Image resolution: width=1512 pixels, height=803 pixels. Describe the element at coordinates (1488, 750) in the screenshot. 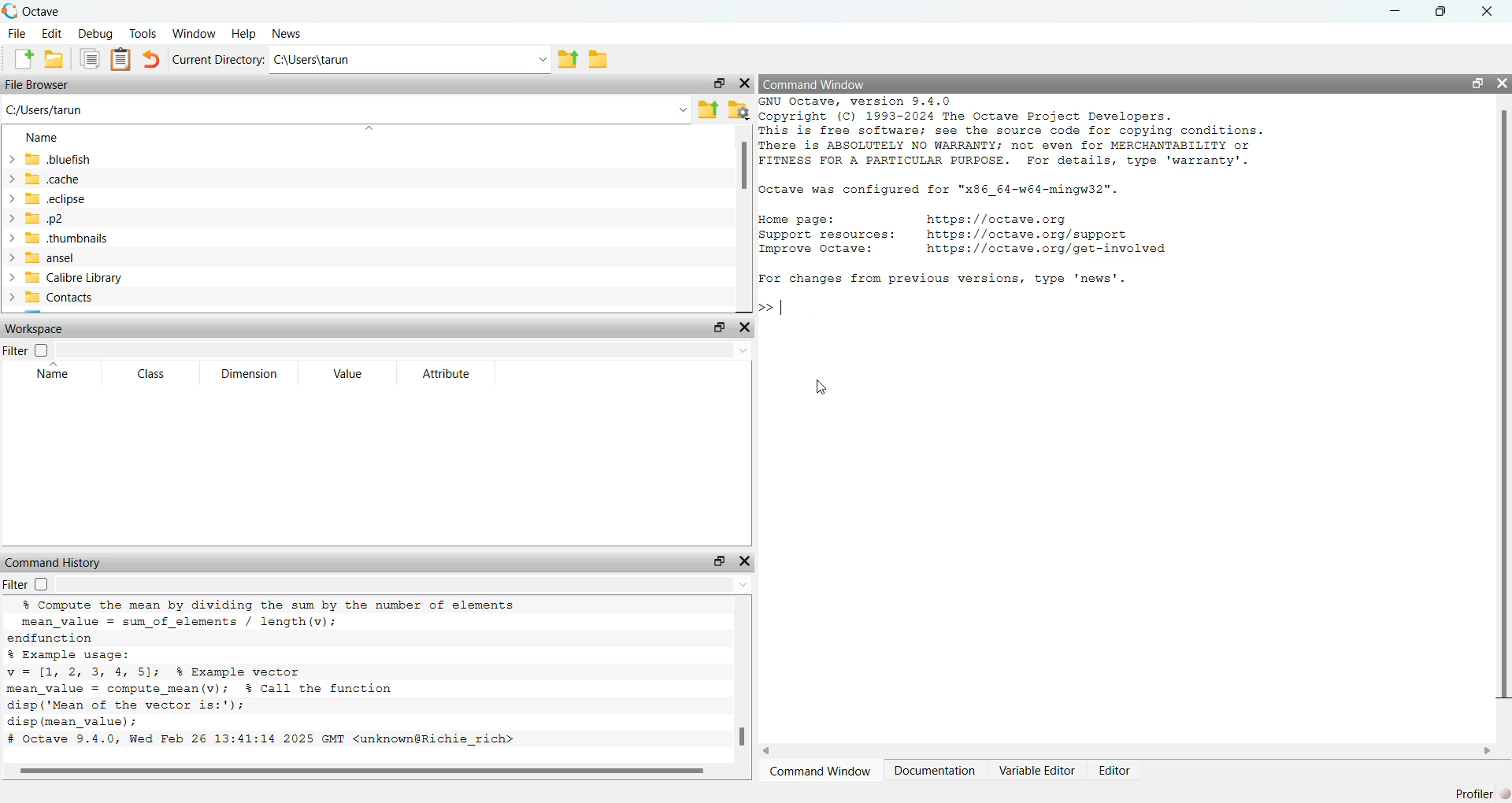

I see `scroll right` at that location.